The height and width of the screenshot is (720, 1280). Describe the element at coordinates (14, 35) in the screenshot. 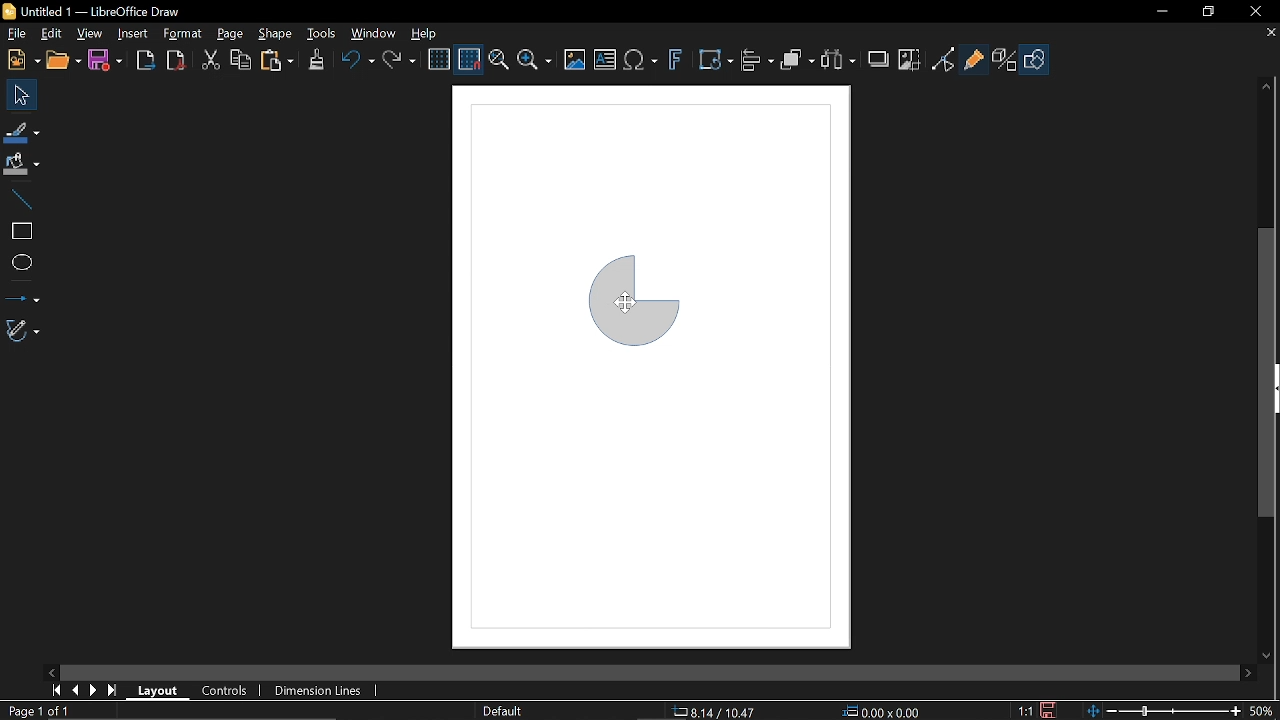

I see `File` at that location.